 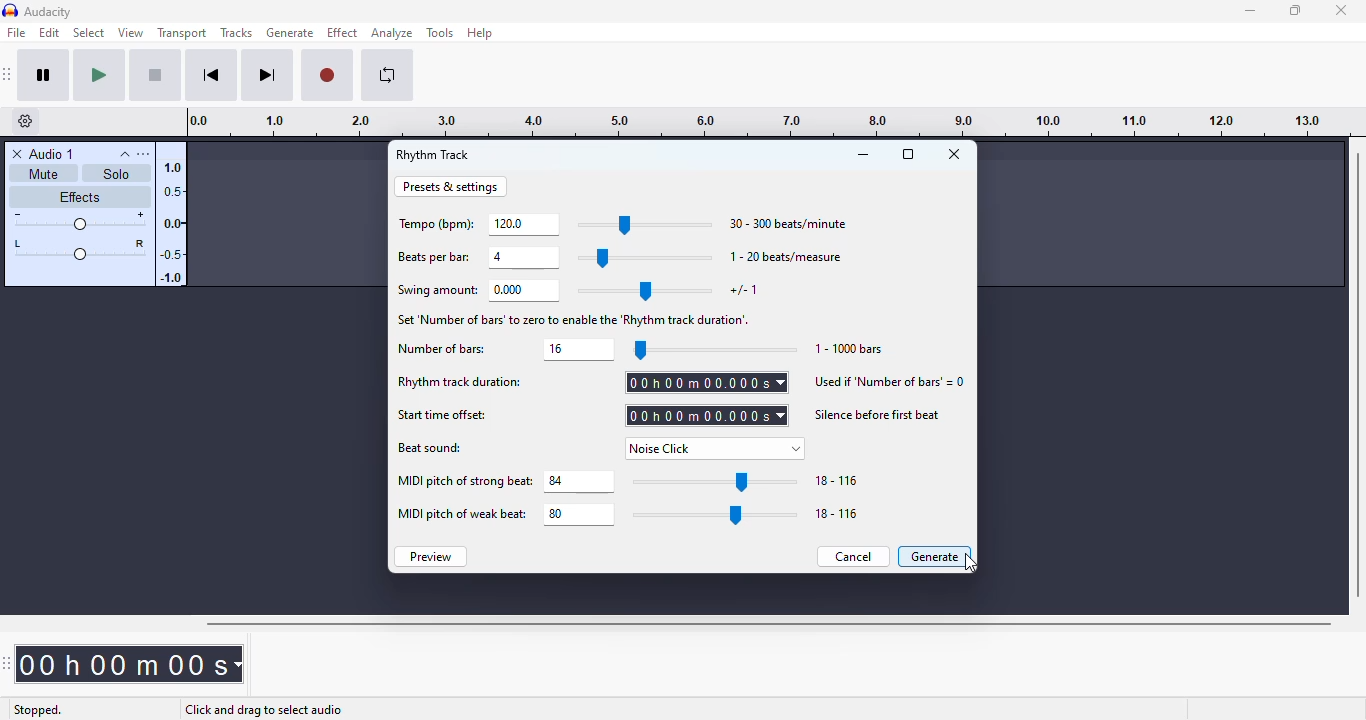 What do you see at coordinates (744, 290) in the screenshot?
I see `+/- 1` at bounding box center [744, 290].